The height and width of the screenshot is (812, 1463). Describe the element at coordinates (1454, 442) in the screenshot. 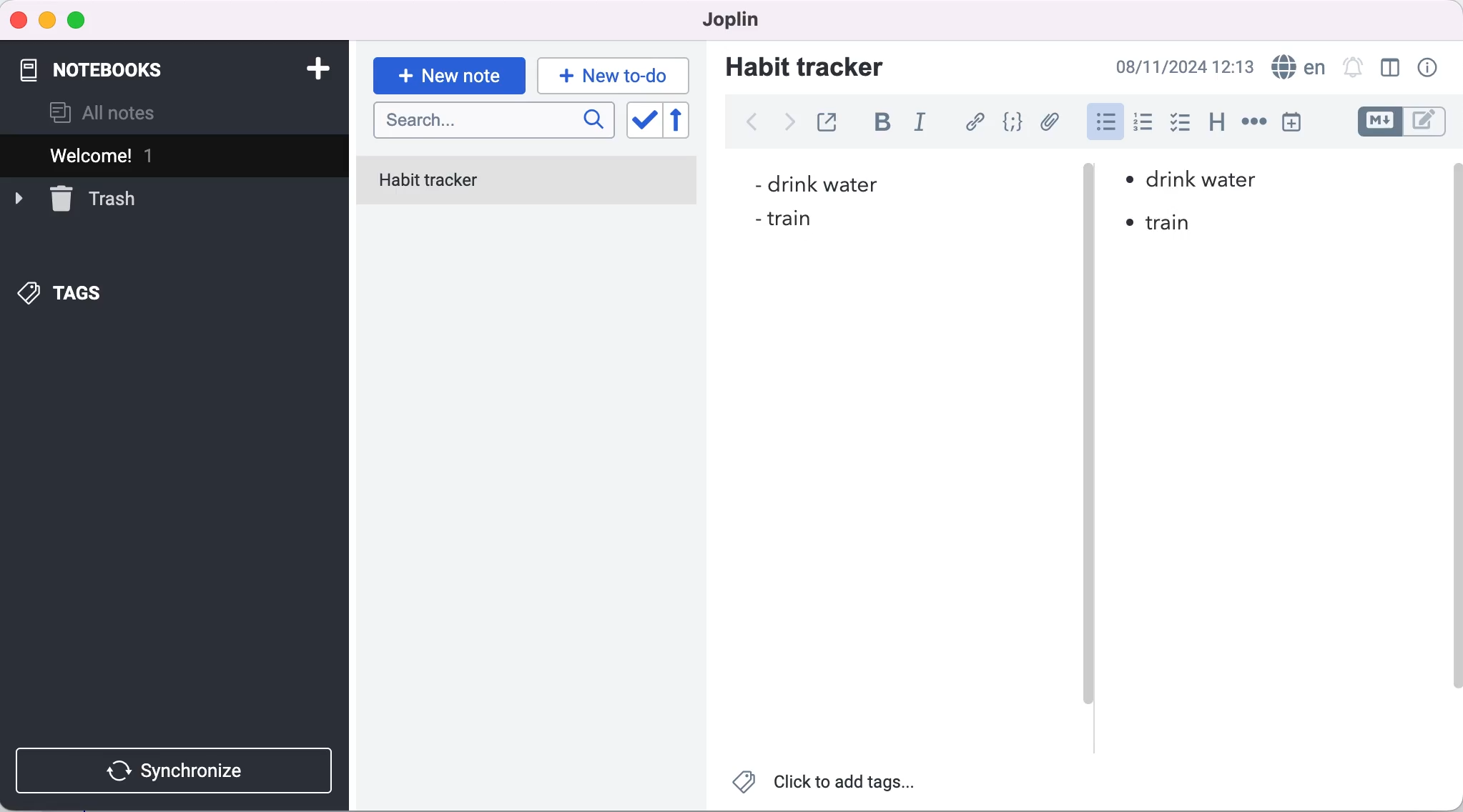

I see `scroll bar` at that location.